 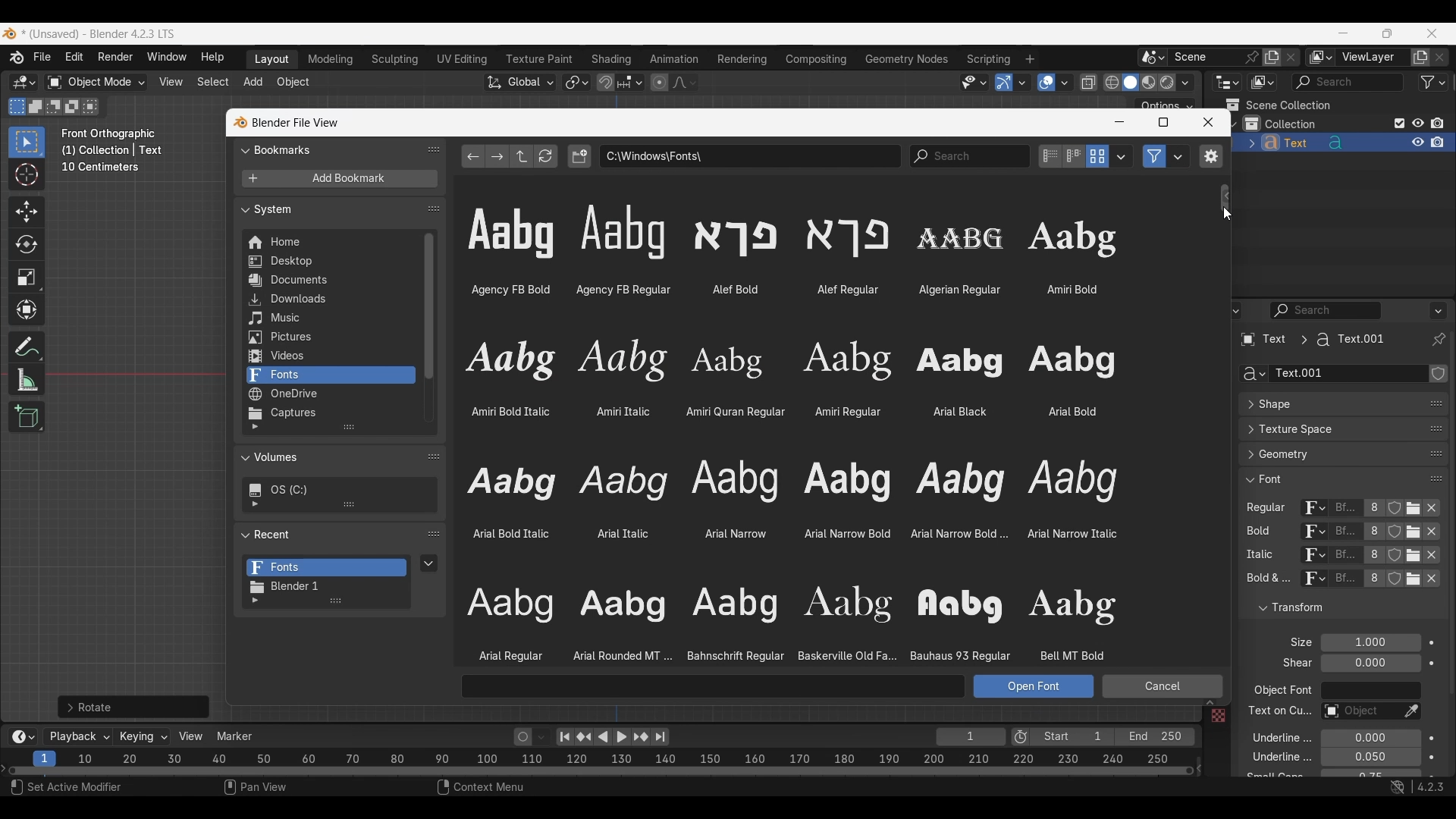 What do you see at coordinates (24, 82) in the screenshot?
I see `Select editor type/3D Viewport, current selection` at bounding box center [24, 82].